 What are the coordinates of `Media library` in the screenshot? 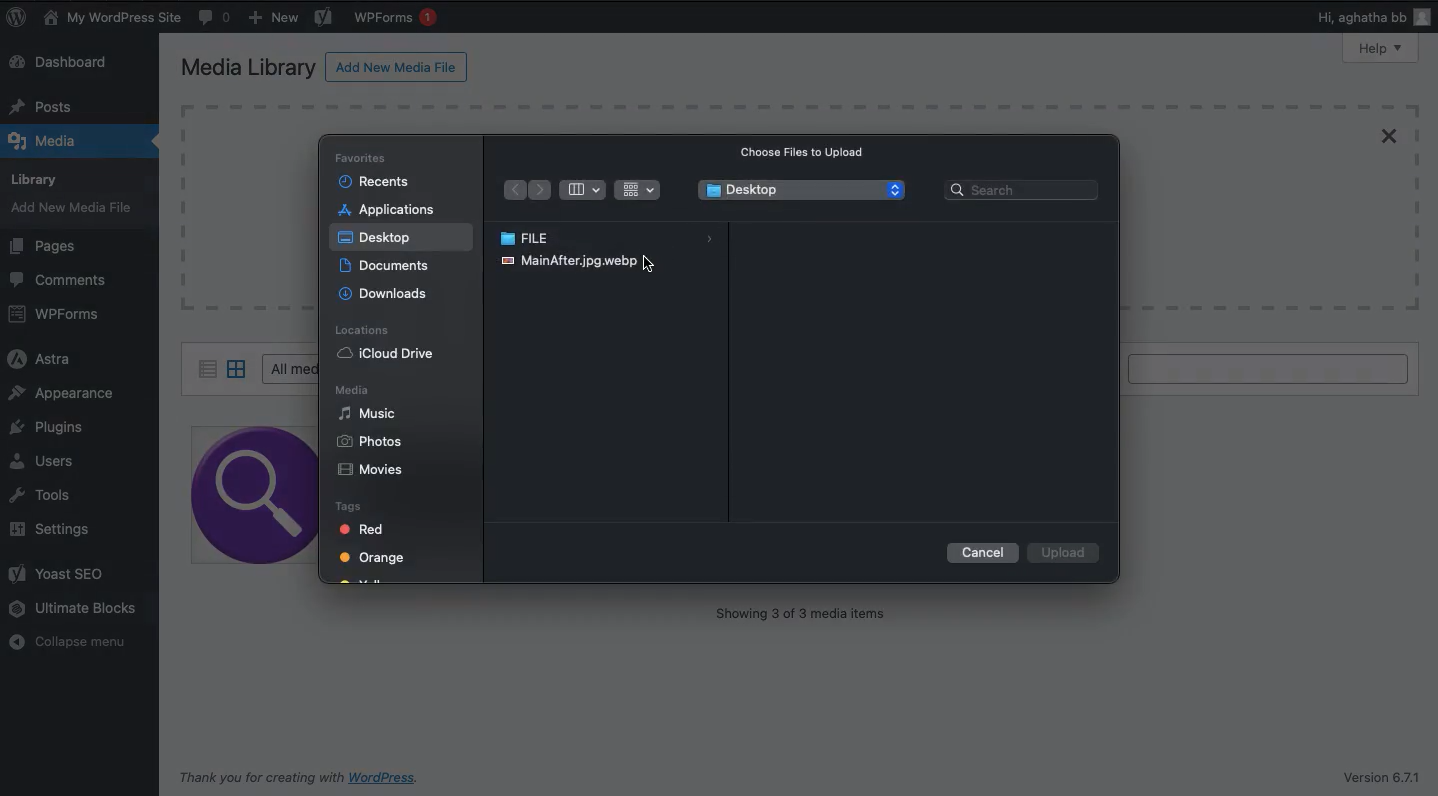 It's located at (249, 70).